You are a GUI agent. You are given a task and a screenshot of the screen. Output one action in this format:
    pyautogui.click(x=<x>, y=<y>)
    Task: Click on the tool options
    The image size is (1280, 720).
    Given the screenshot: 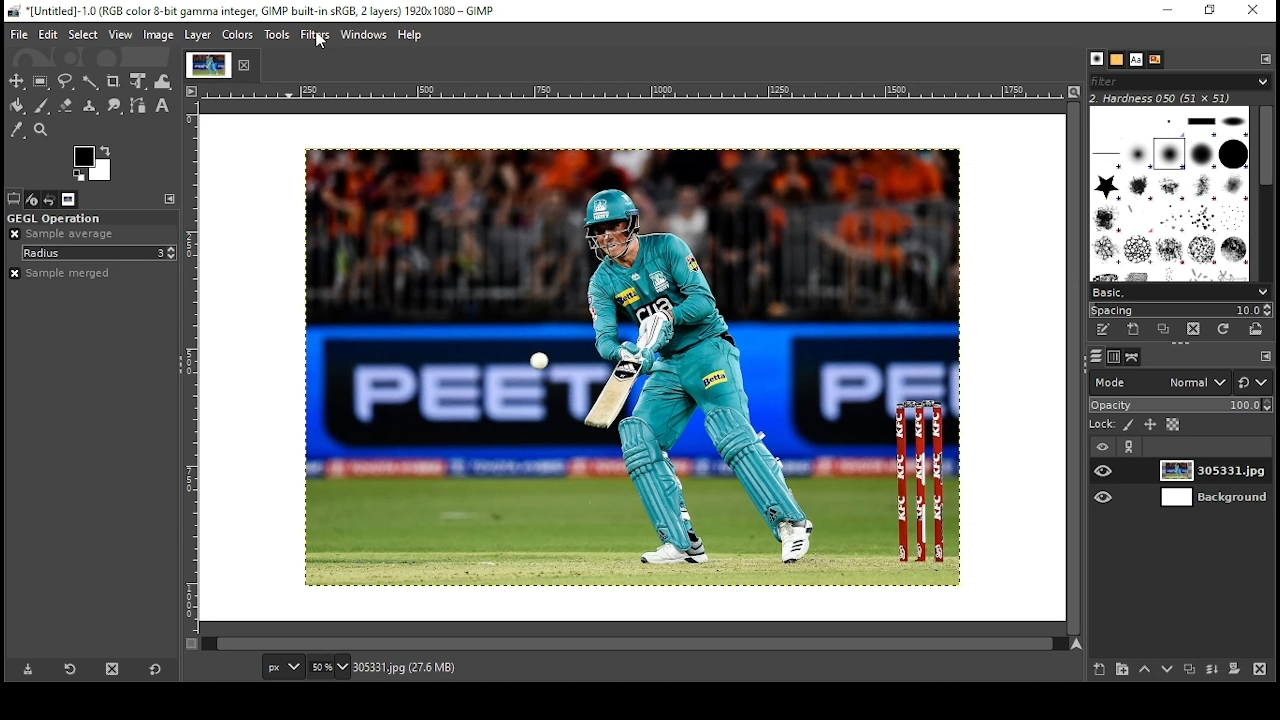 What is the action you would take?
    pyautogui.click(x=14, y=198)
    